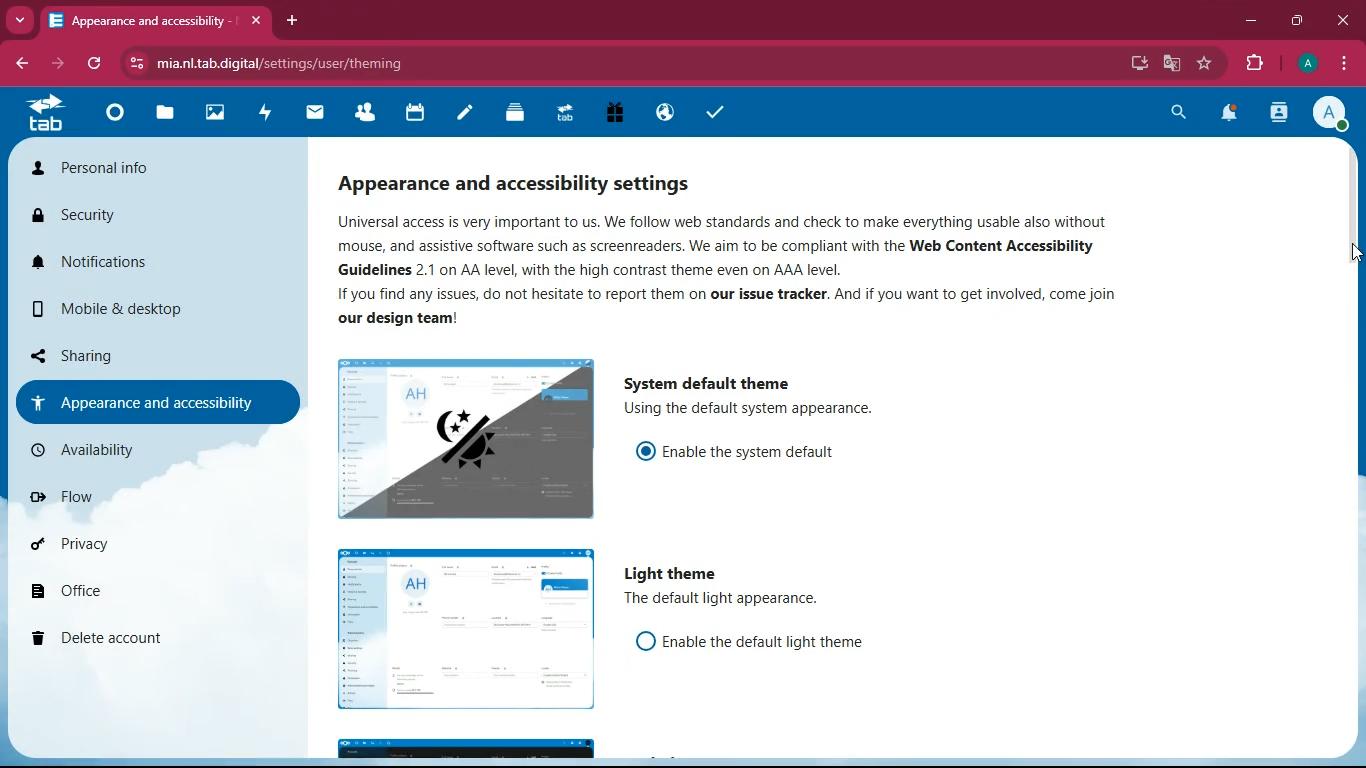 The image size is (1366, 768). Describe the element at coordinates (1135, 65) in the screenshot. I see `desktop` at that location.